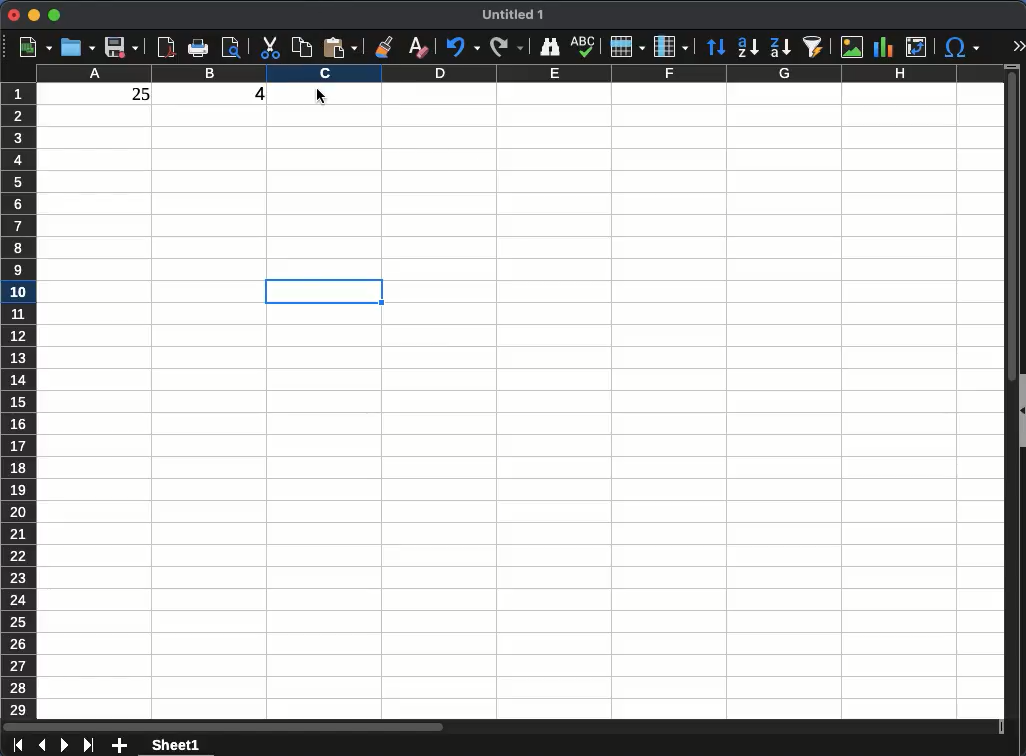 This screenshot has width=1026, height=756. What do you see at coordinates (19, 745) in the screenshot?
I see `first sheet` at bounding box center [19, 745].